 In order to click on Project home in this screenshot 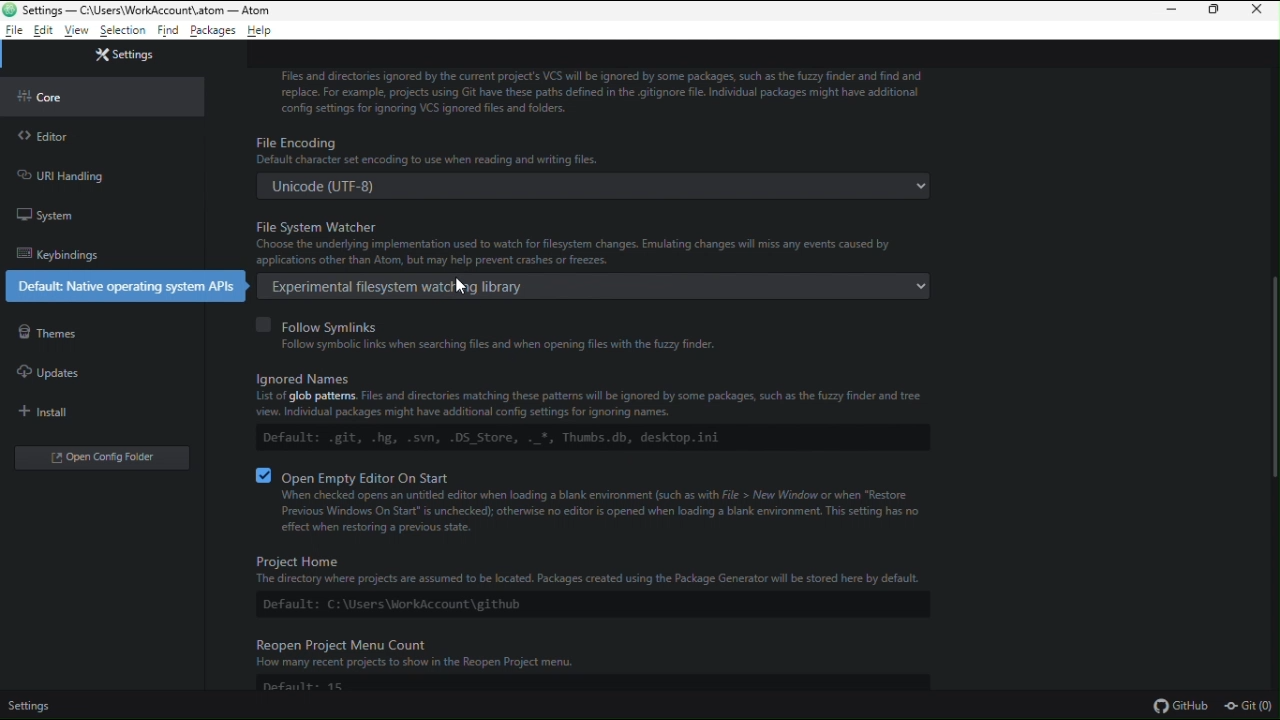, I will do `click(579, 581)`.